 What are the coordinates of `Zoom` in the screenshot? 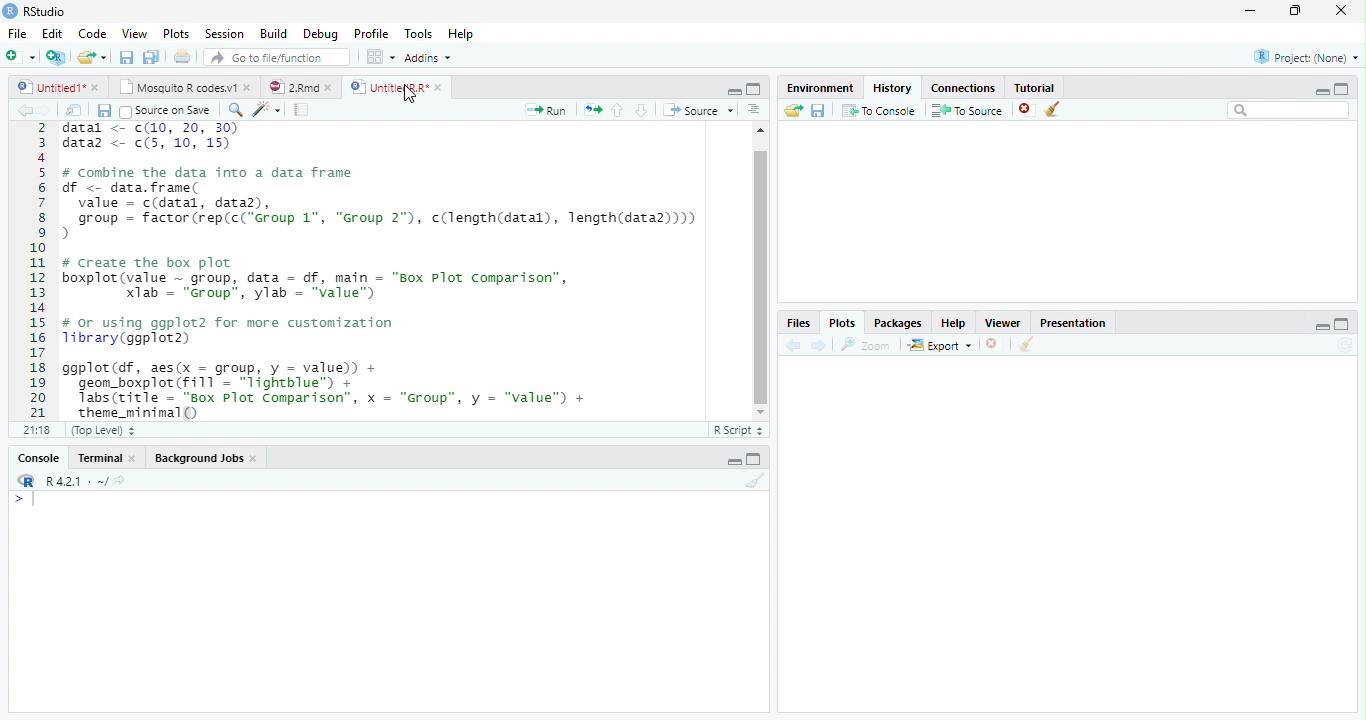 It's located at (866, 345).